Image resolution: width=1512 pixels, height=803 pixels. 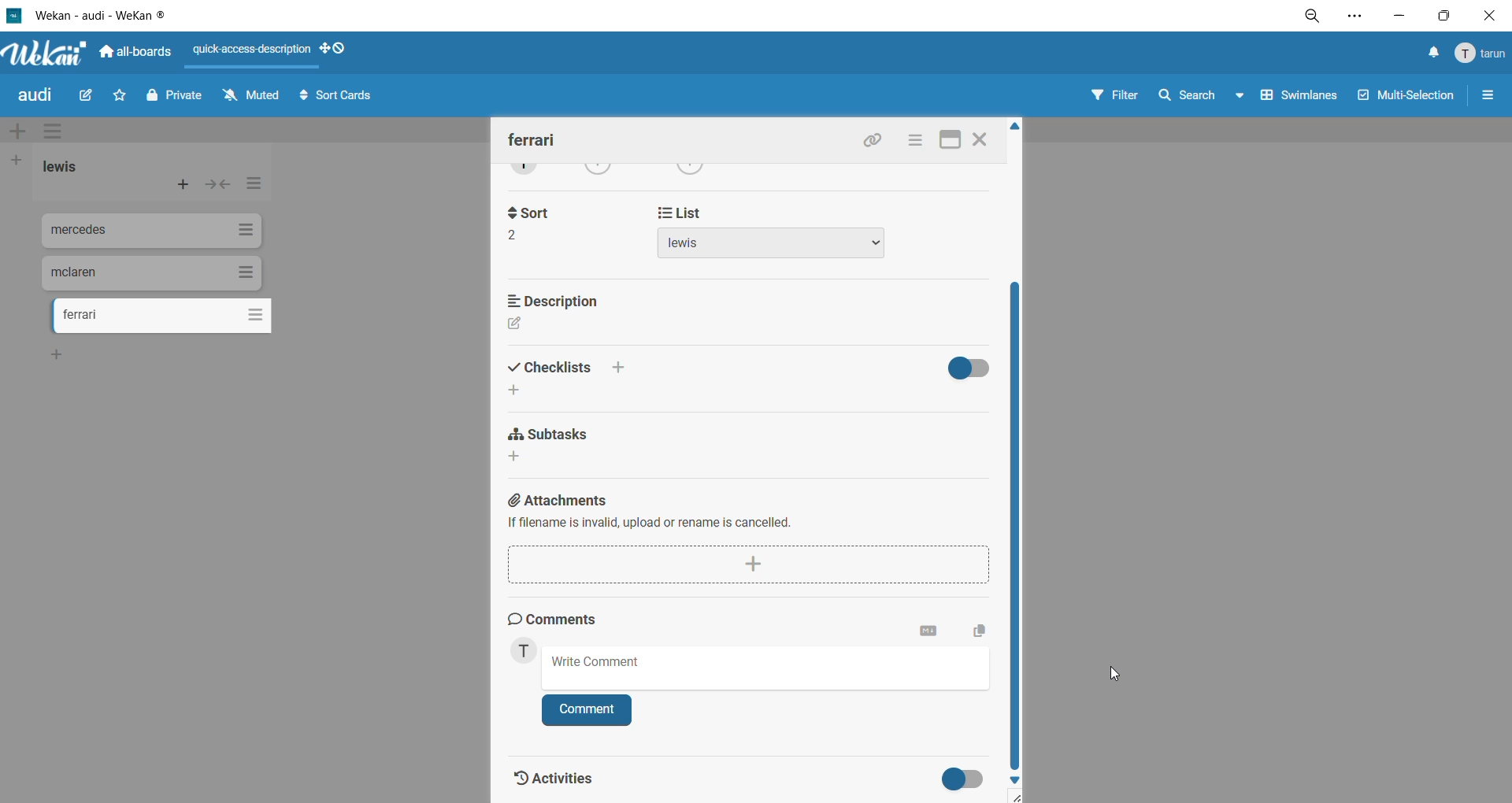 What do you see at coordinates (163, 318) in the screenshot?
I see `cards` at bounding box center [163, 318].